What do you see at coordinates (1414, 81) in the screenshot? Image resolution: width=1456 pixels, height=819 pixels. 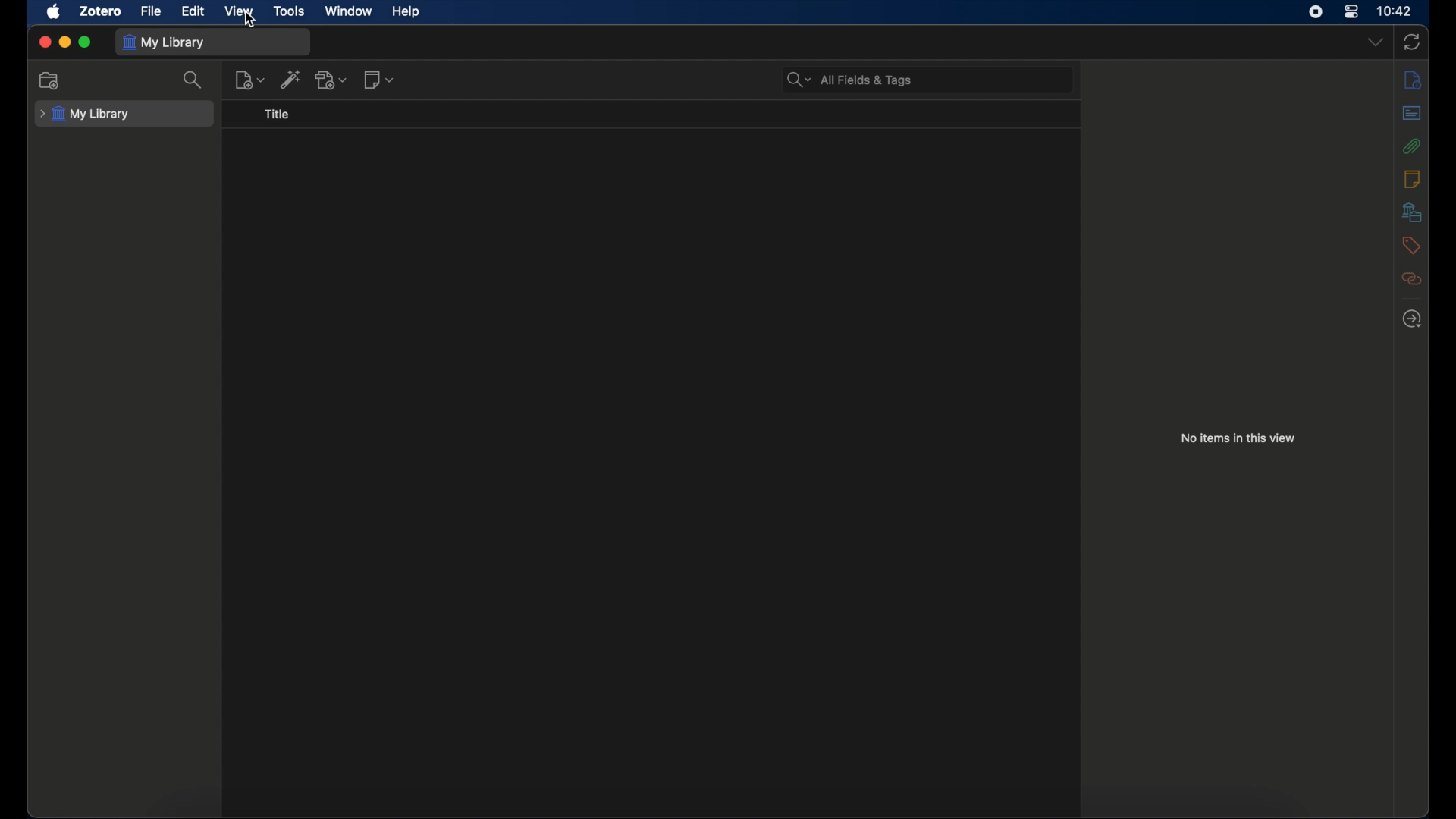 I see `info` at bounding box center [1414, 81].